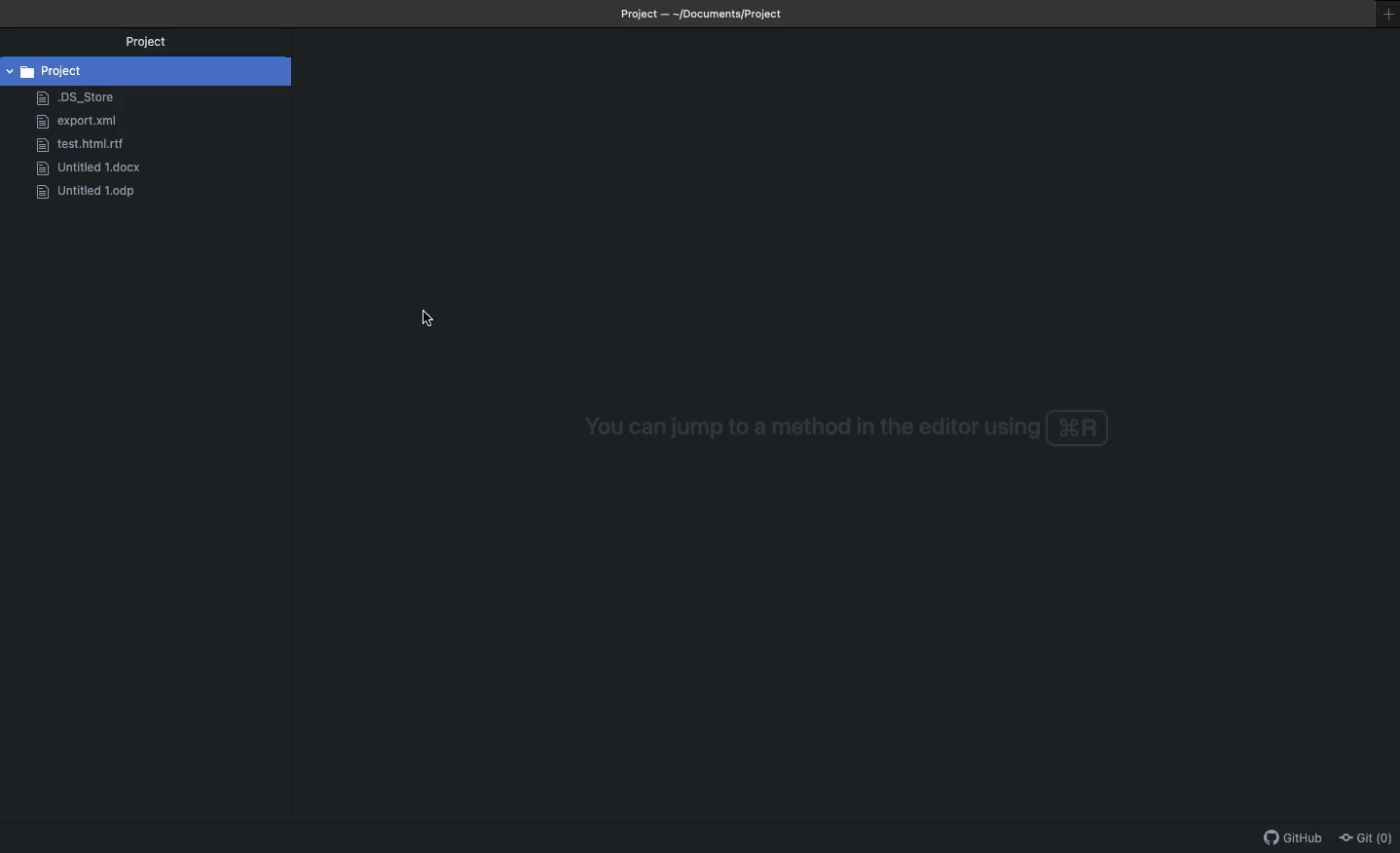 The image size is (1400, 853). Describe the element at coordinates (1294, 840) in the screenshot. I see `GitHub` at that location.